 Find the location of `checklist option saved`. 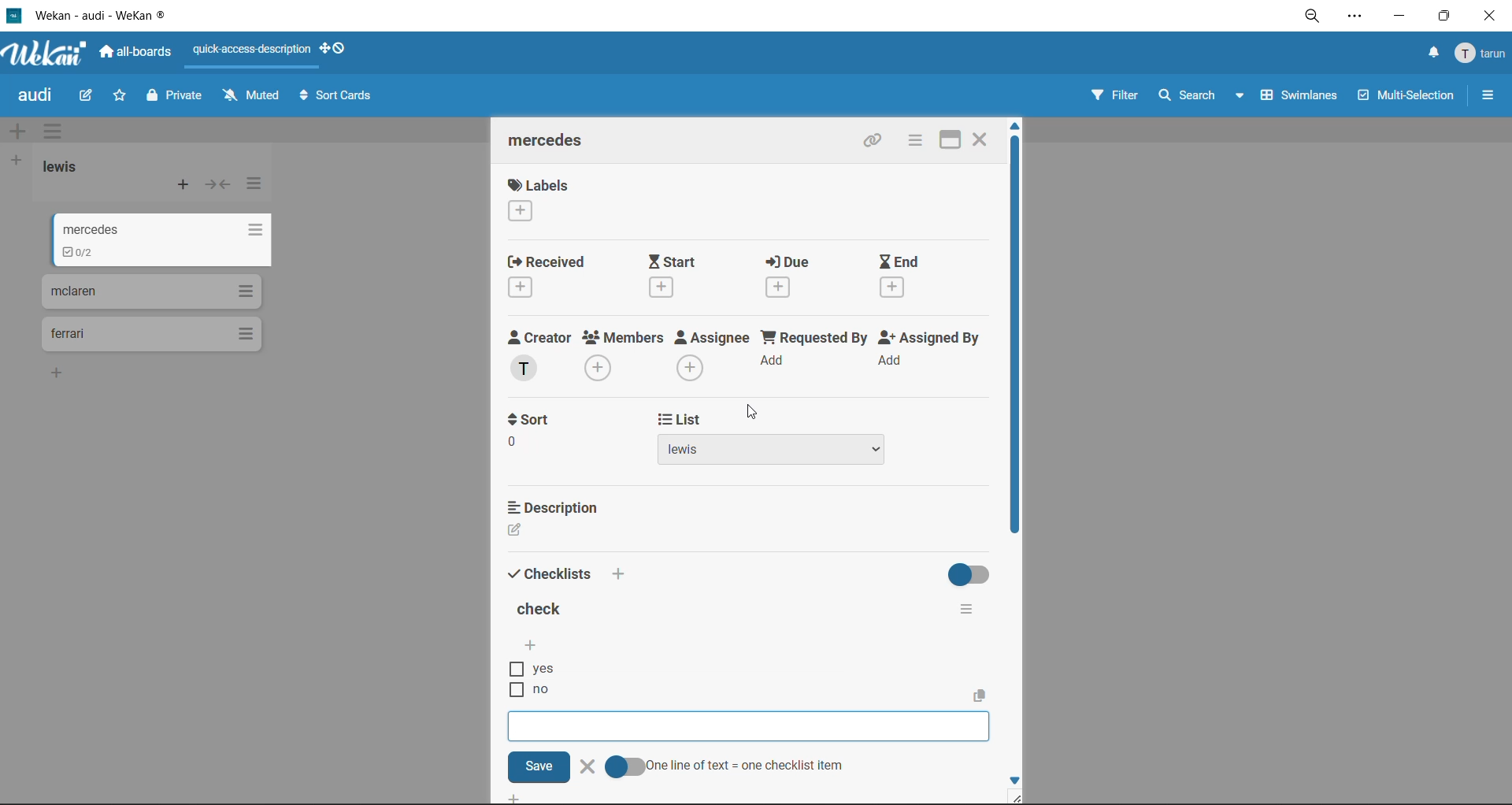

checklist option saved is located at coordinates (538, 669).